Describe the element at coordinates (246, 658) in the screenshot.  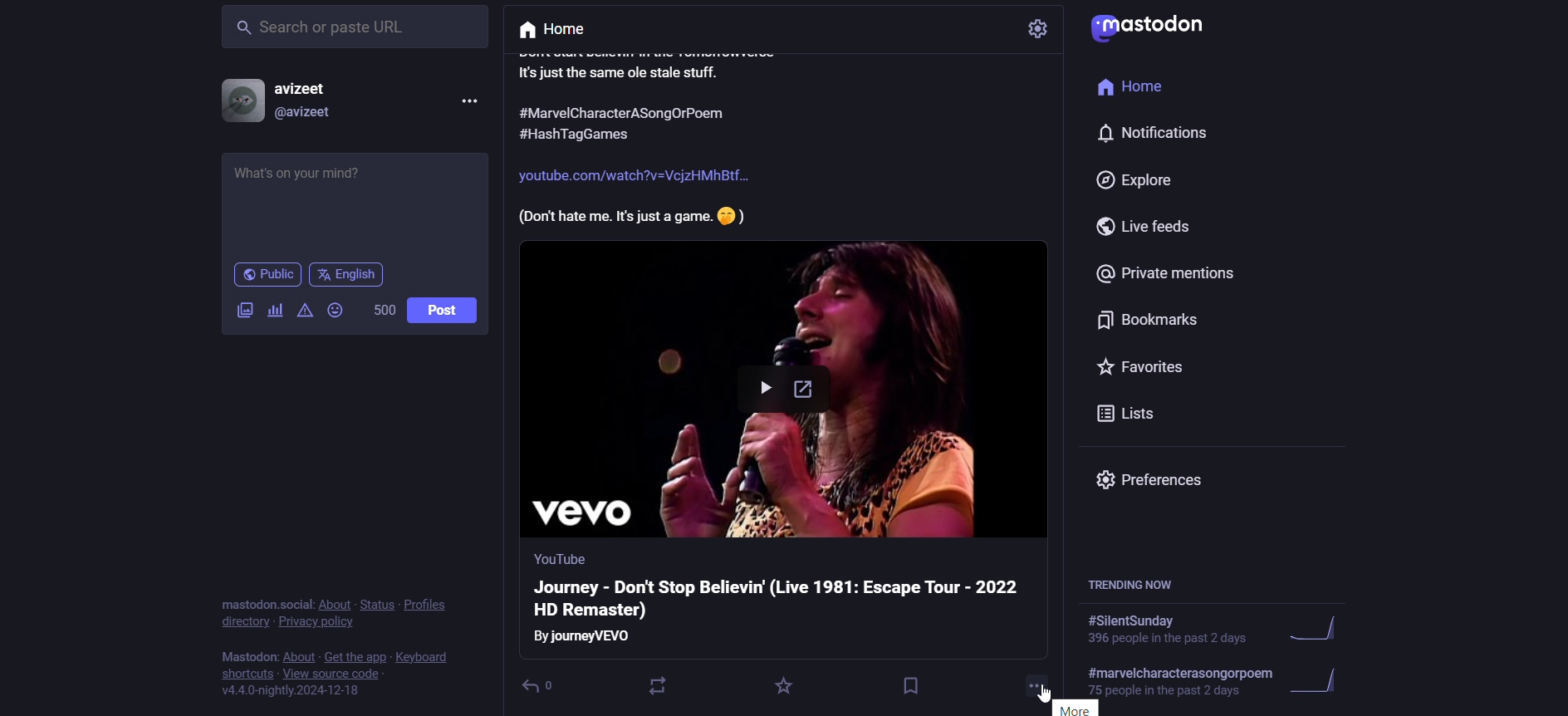
I see `text` at that location.